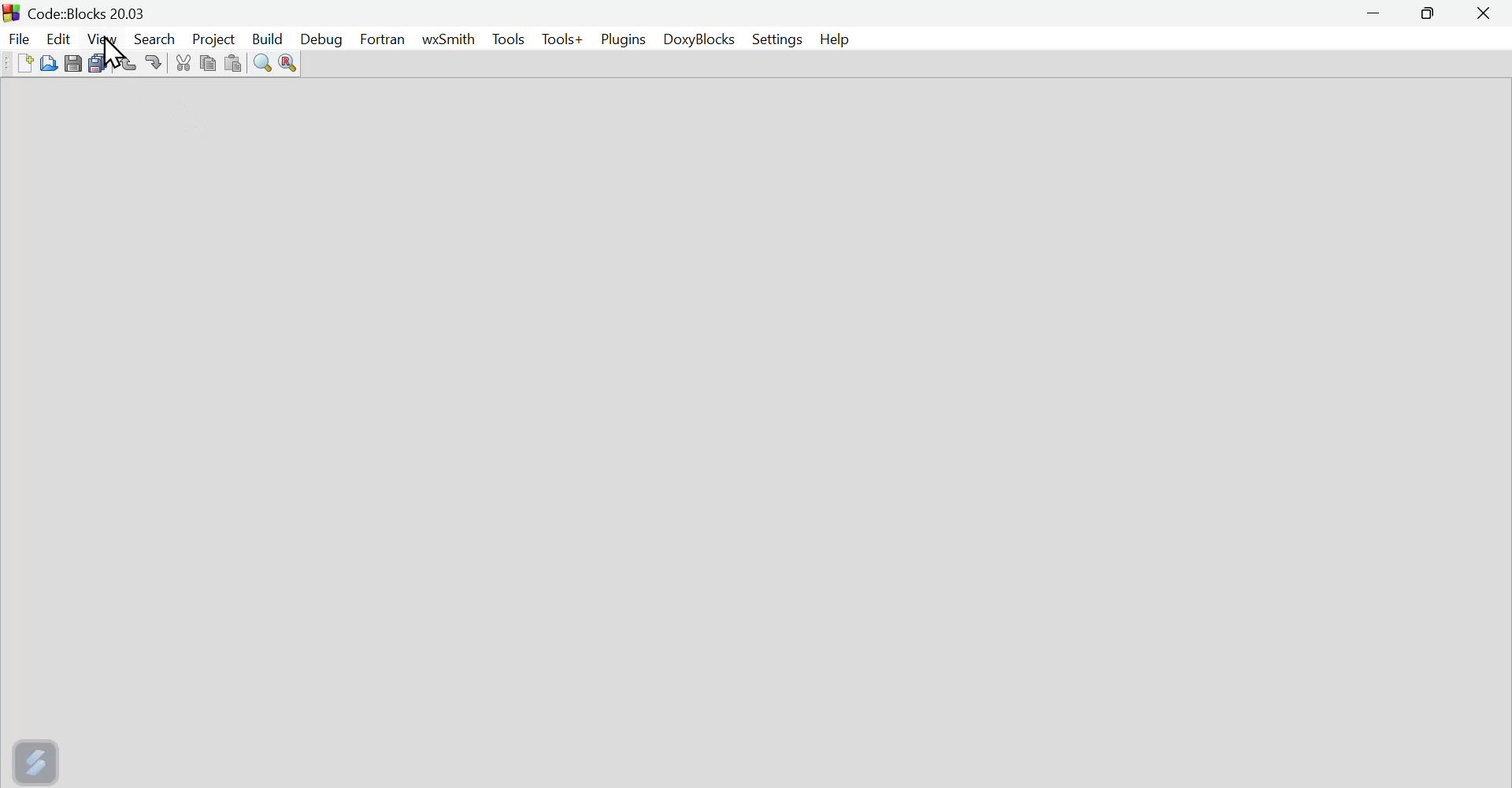 This screenshot has height=788, width=1512. I want to click on minimise, so click(1376, 16).